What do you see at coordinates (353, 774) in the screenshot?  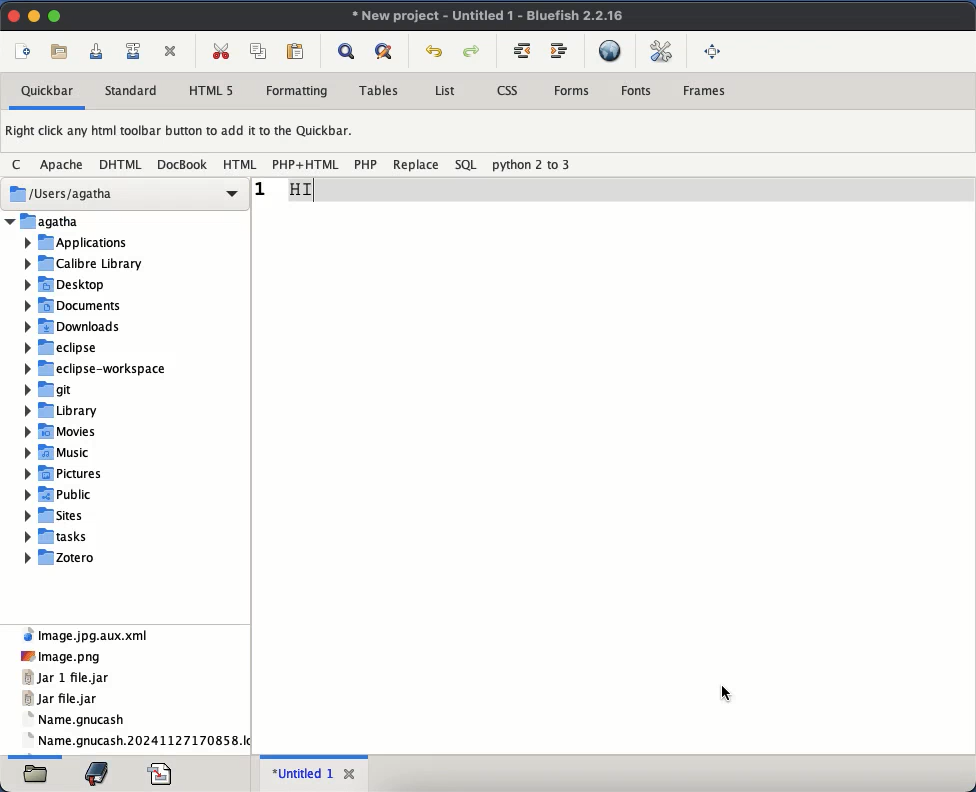 I see `close` at bounding box center [353, 774].